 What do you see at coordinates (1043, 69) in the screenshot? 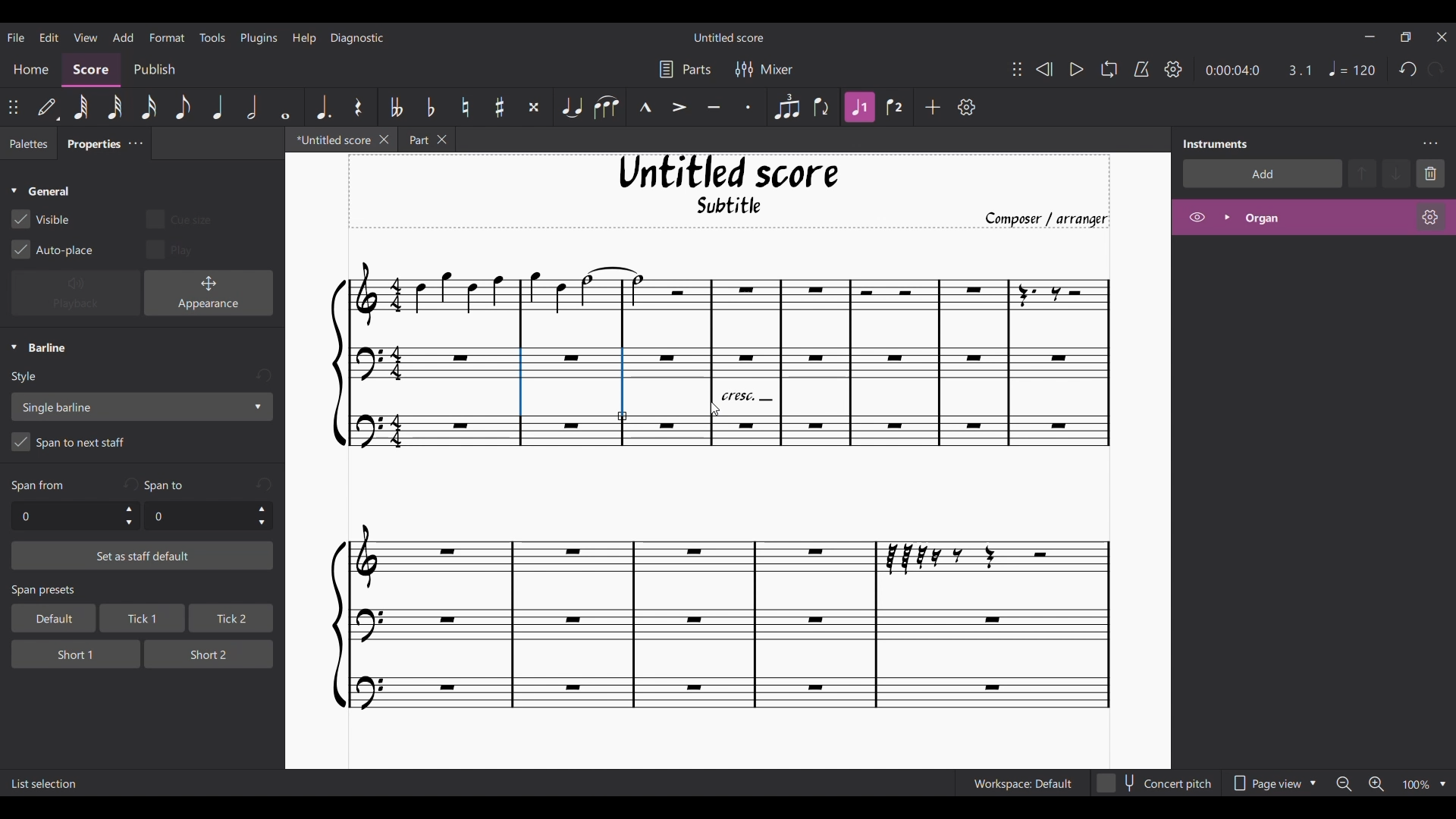
I see `Rewind` at bounding box center [1043, 69].